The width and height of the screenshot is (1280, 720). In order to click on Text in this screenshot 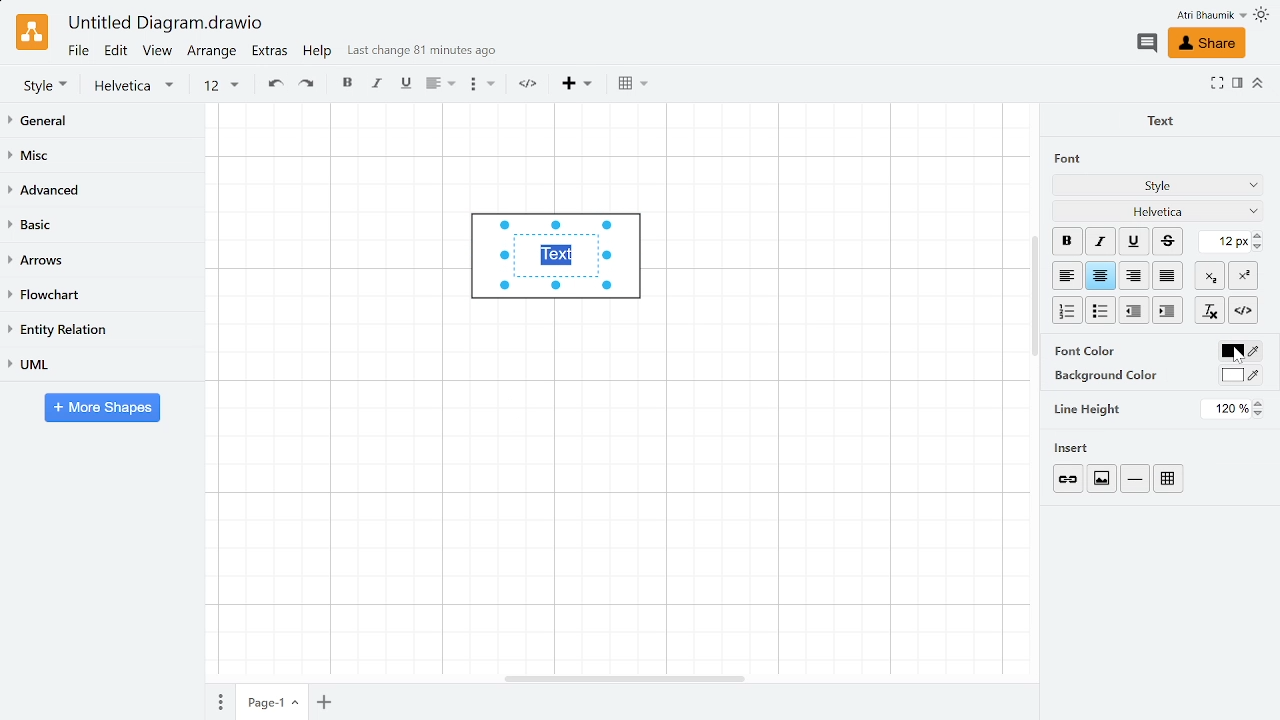, I will do `click(1156, 119)`.